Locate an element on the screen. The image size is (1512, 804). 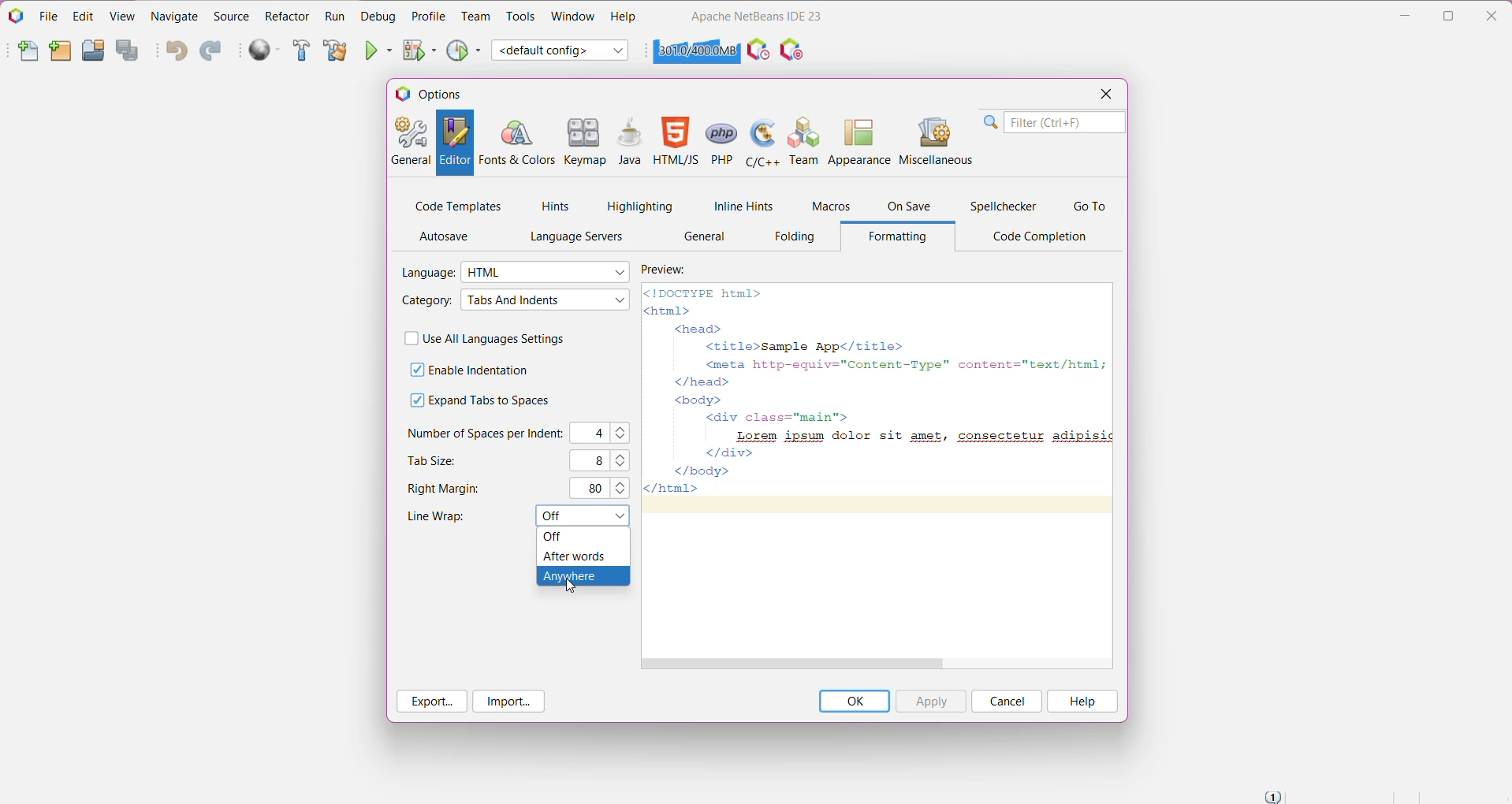
<html> is located at coordinates (672, 311).